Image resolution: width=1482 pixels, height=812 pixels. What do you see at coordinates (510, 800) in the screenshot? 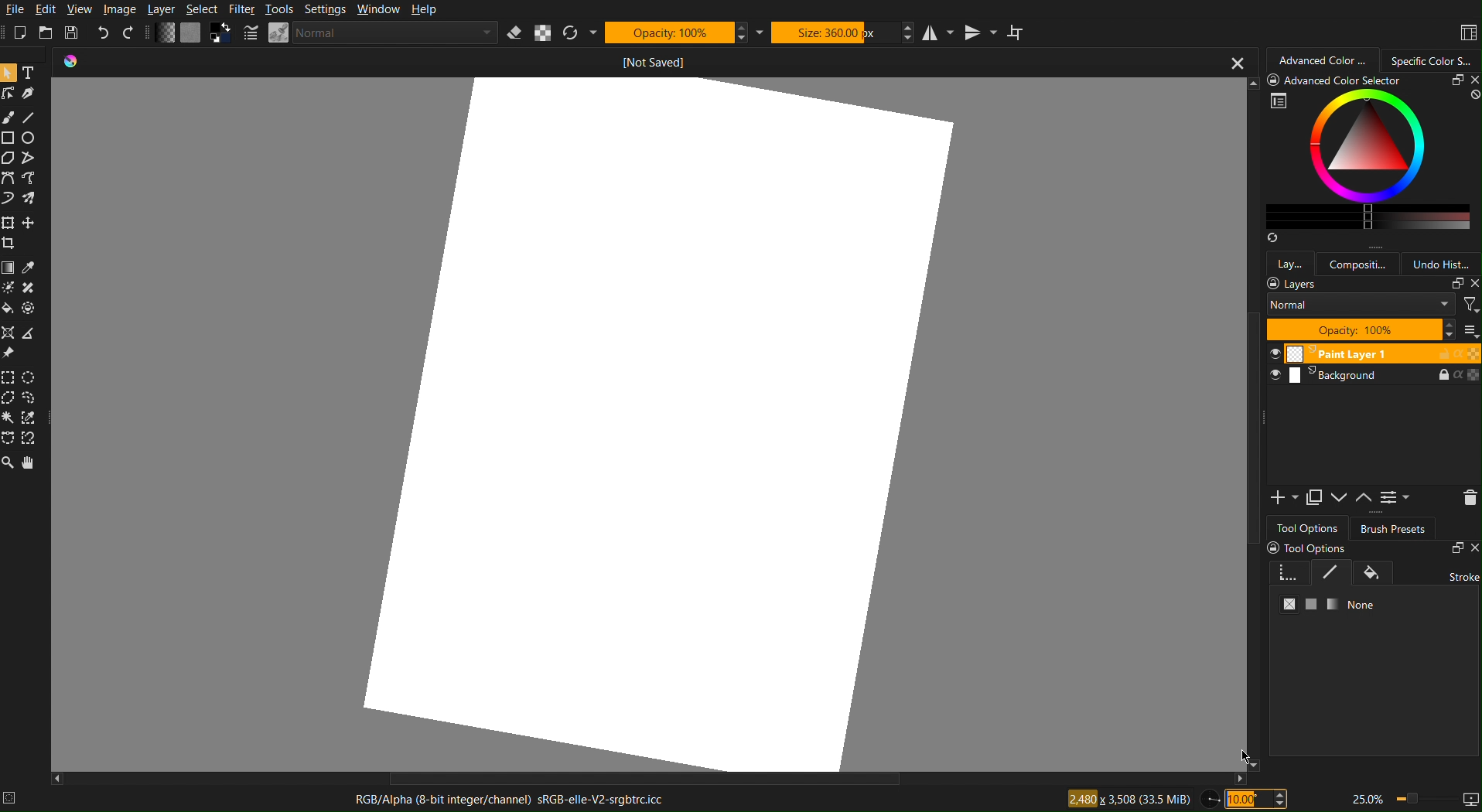
I see `RGB Alpha Channel` at bounding box center [510, 800].